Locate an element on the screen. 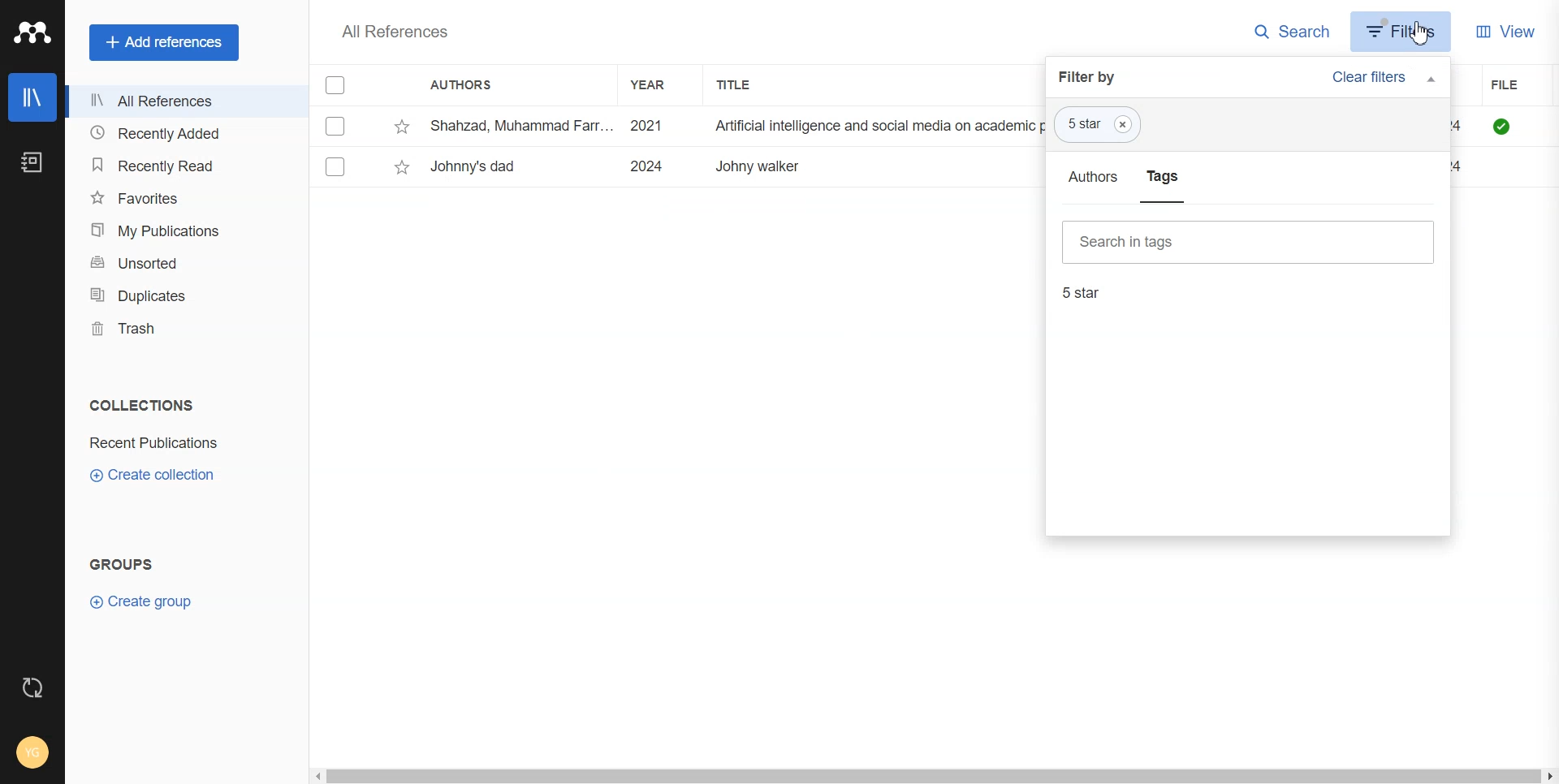 The image size is (1559, 784). Clear Filters is located at coordinates (1384, 78).